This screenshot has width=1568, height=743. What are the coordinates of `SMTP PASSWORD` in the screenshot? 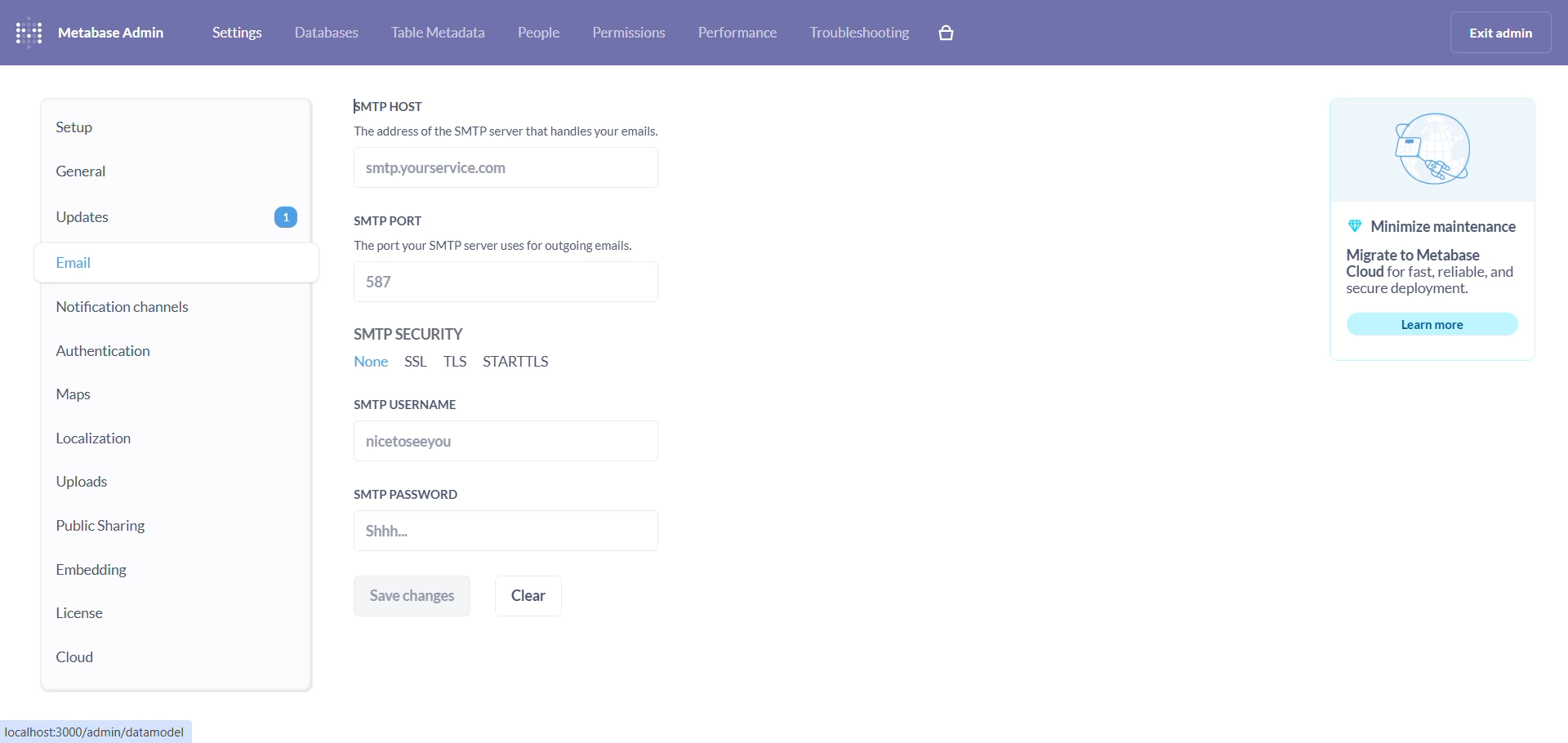 It's located at (414, 495).